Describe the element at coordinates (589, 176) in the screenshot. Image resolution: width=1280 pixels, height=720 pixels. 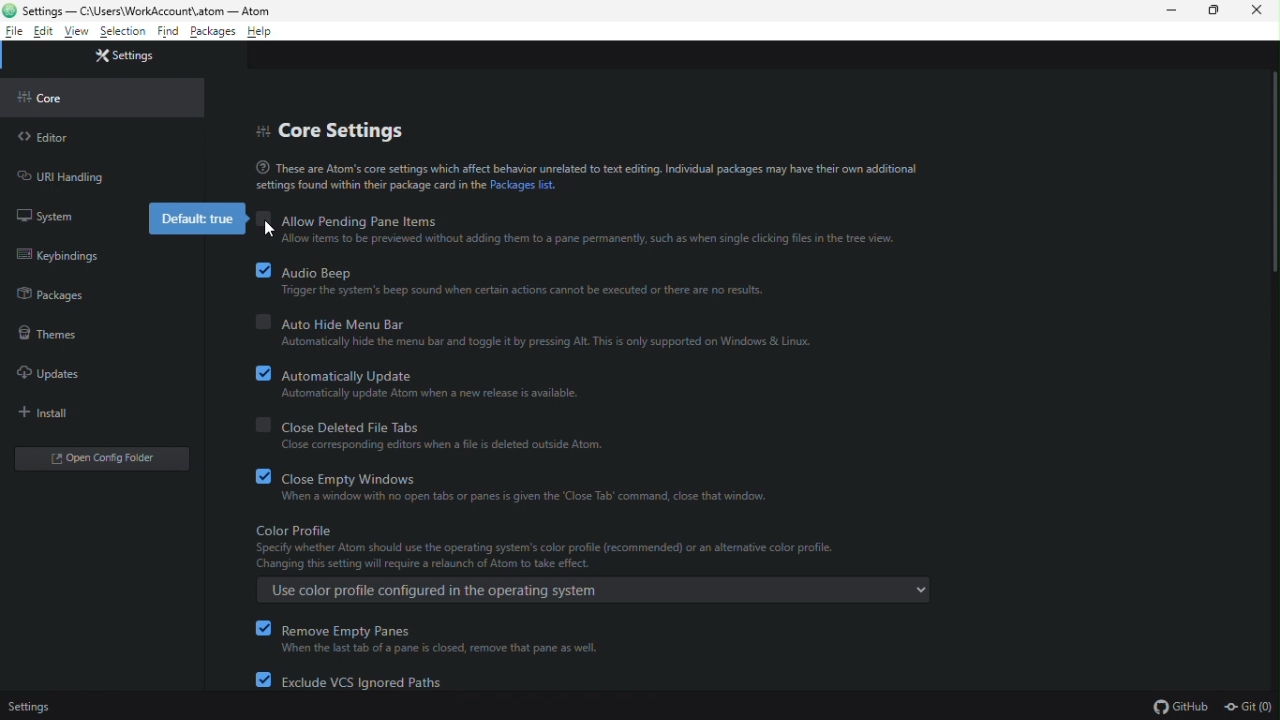
I see `These are Atom's core settings which affect behavior unrelatednto text editing. Individual packages may have their own additional settings found within their package card in the Packages list.` at that location.